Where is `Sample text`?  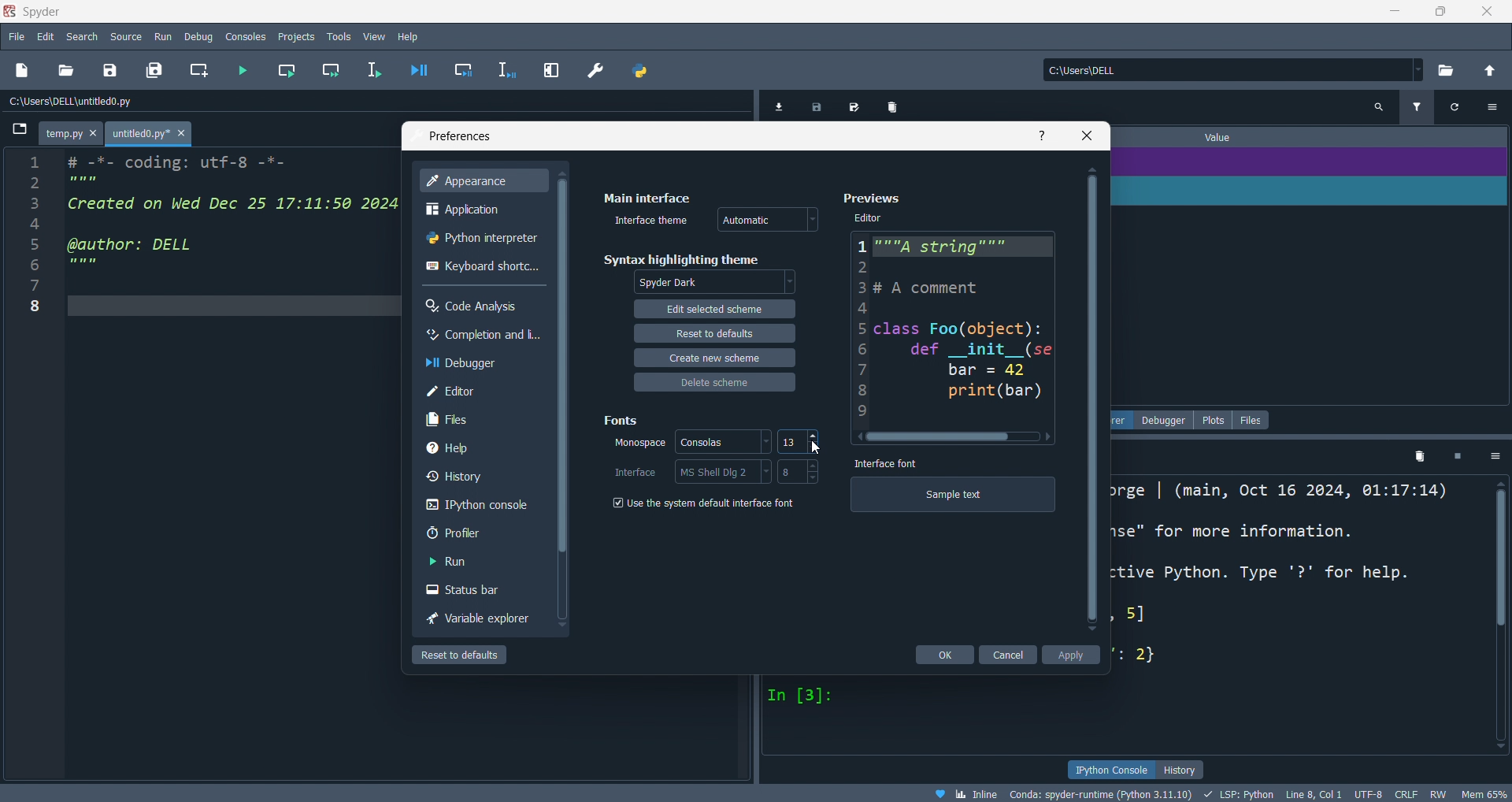 Sample text is located at coordinates (962, 493).